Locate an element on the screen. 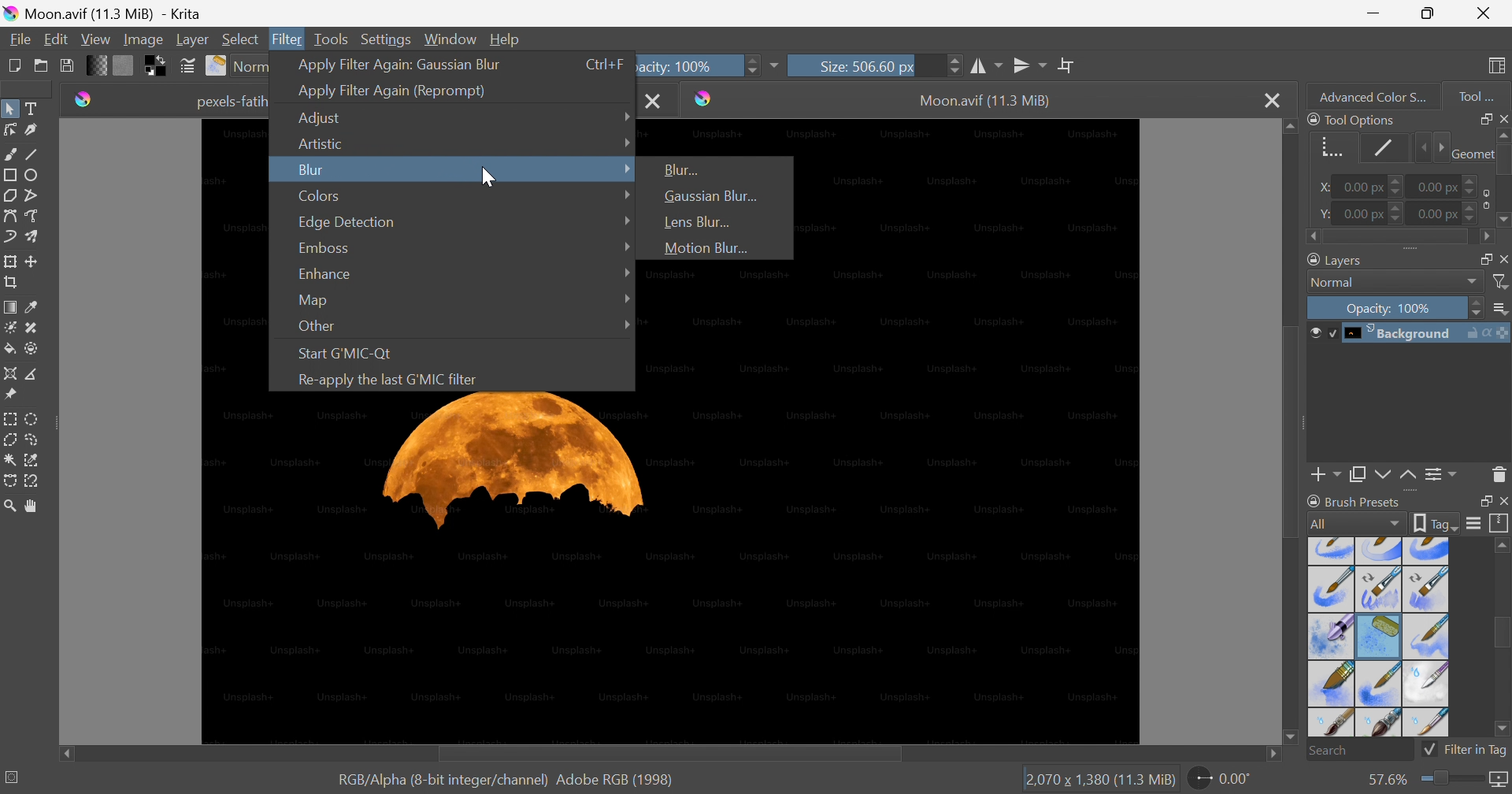  Contiguous selection tool is located at coordinates (10, 461).